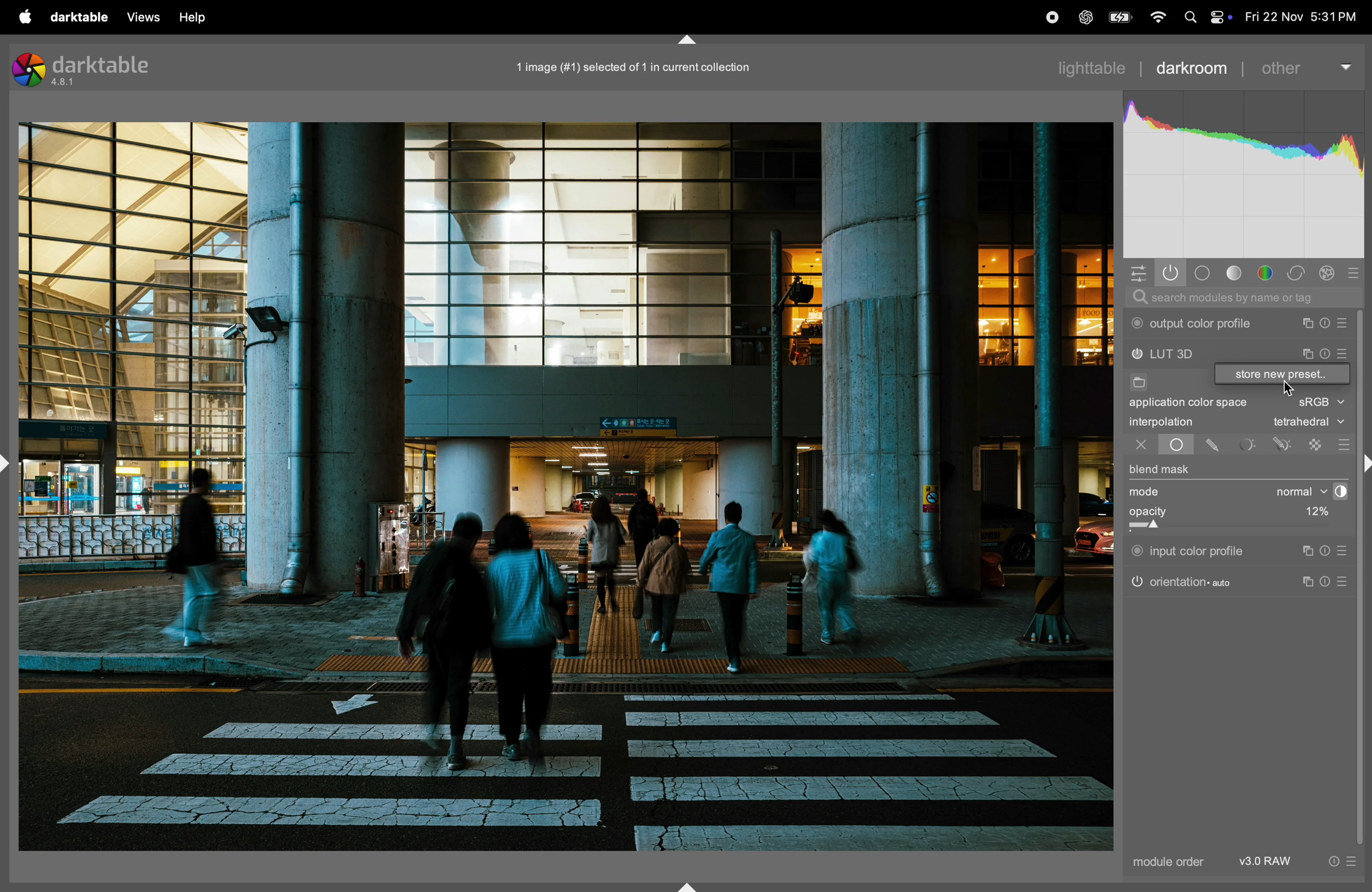 This screenshot has height=892, width=1372. I want to click on drwan parmetric mask, so click(1285, 443).